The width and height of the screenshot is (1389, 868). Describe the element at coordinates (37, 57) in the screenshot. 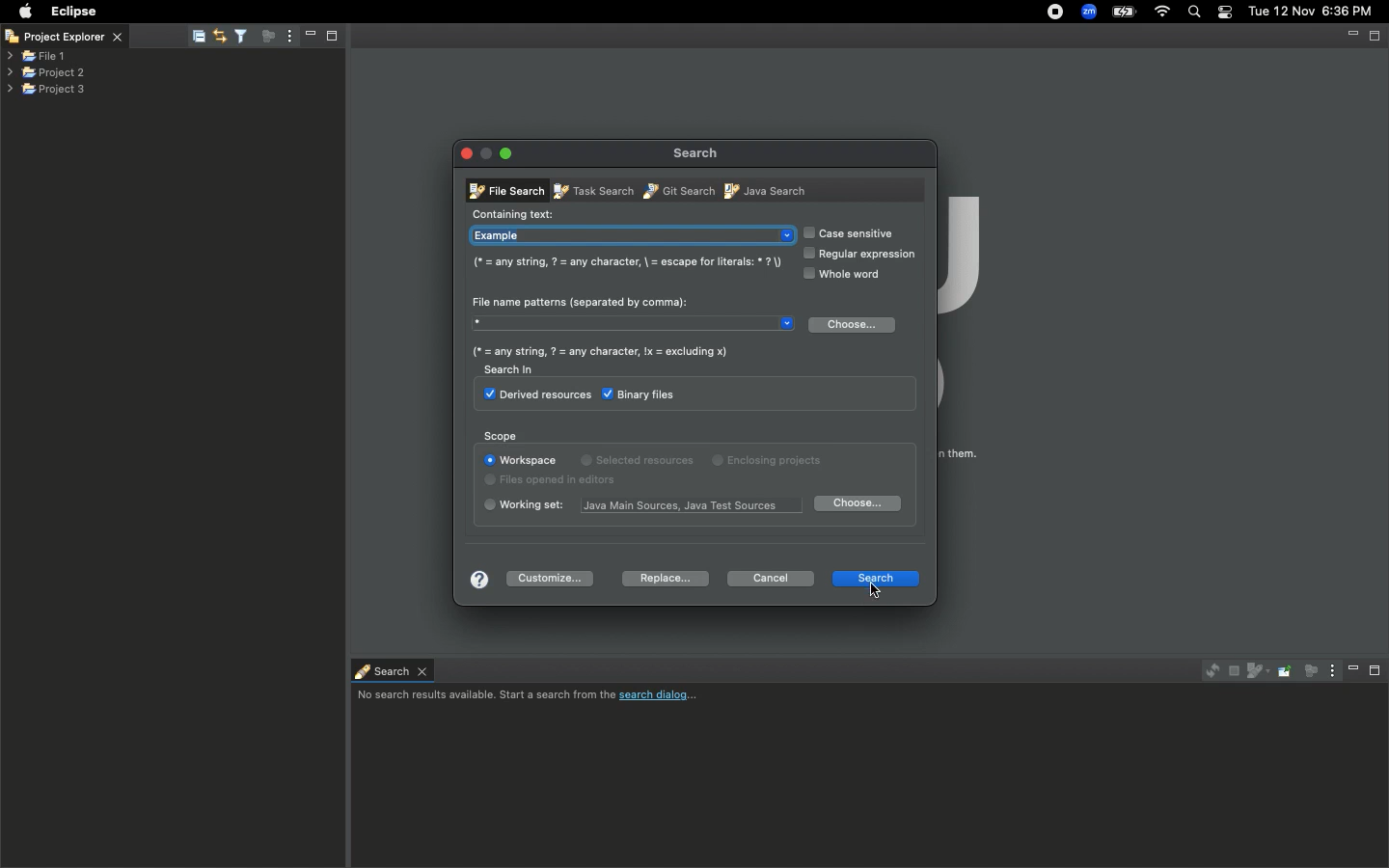

I see `File 1` at that location.